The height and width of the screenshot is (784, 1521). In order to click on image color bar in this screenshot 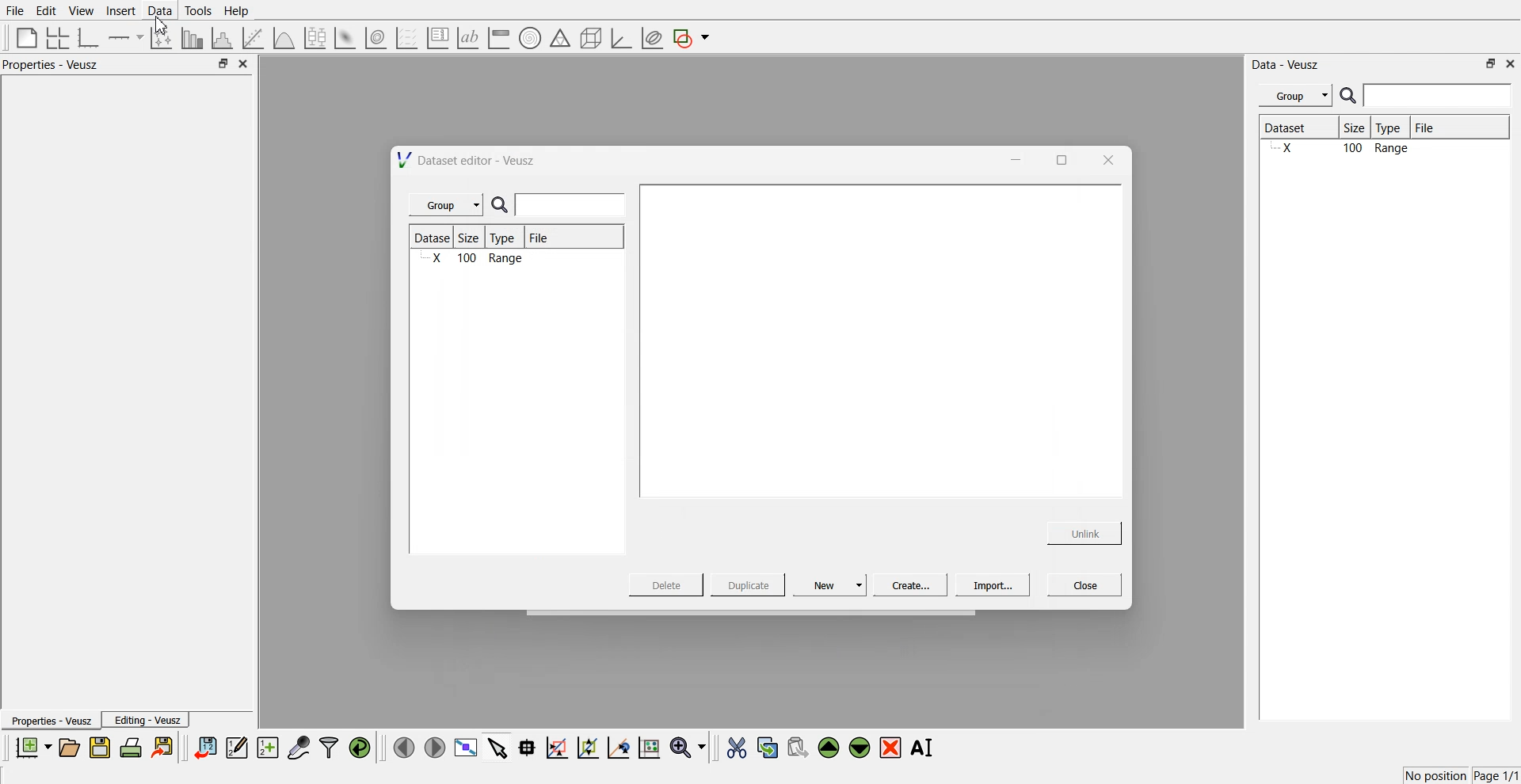, I will do `click(498, 39)`.